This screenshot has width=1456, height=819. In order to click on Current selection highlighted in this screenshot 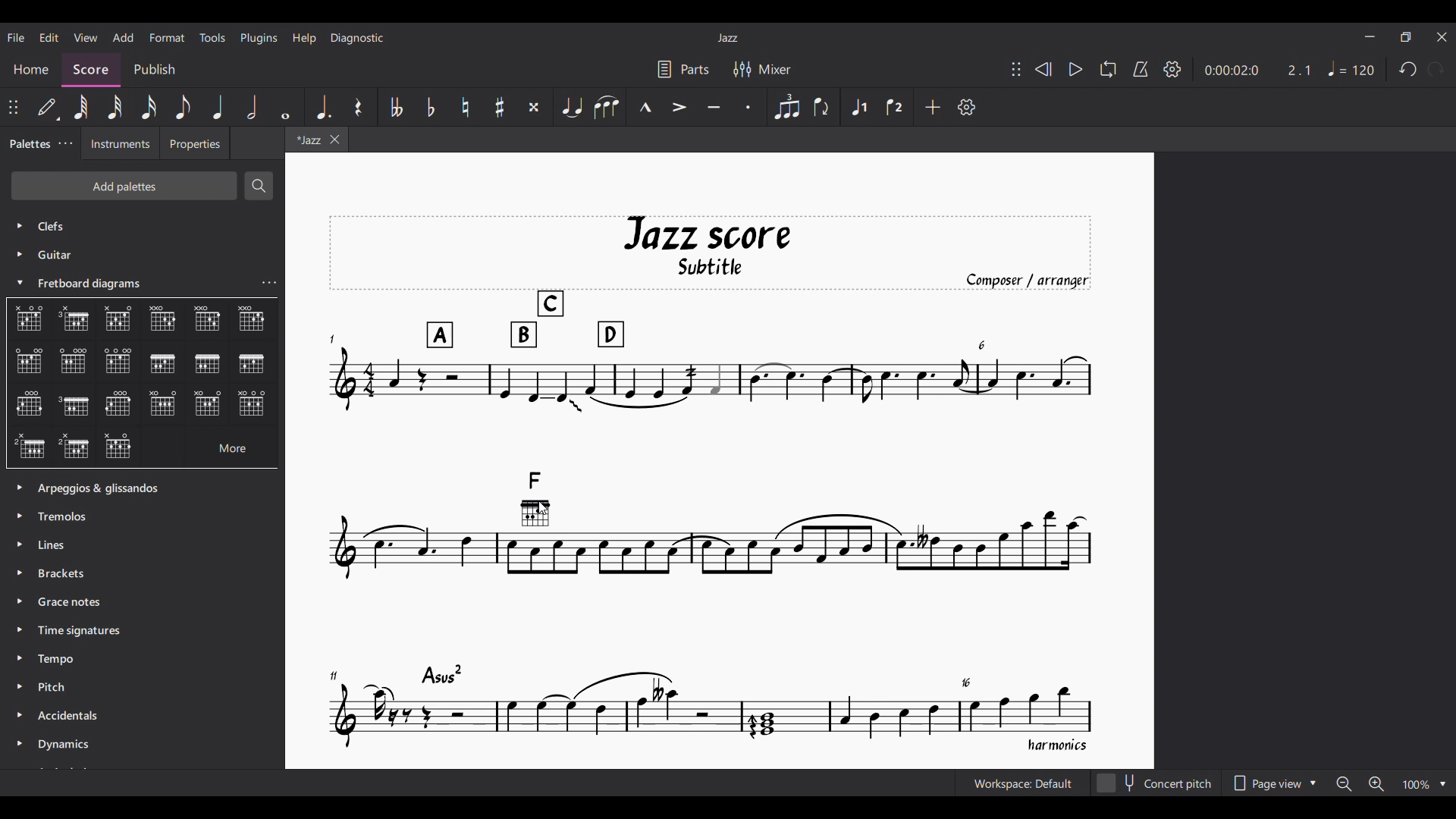, I will do `click(162, 362)`.